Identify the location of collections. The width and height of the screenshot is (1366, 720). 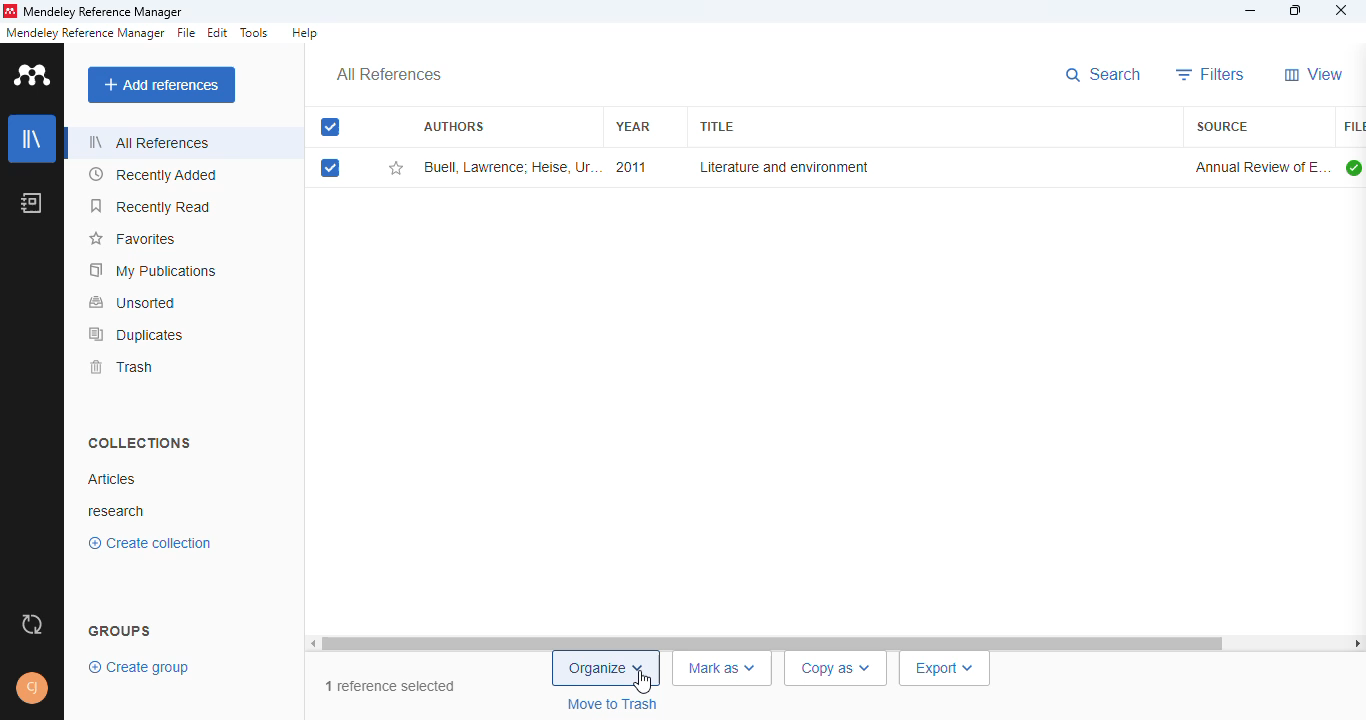
(141, 443).